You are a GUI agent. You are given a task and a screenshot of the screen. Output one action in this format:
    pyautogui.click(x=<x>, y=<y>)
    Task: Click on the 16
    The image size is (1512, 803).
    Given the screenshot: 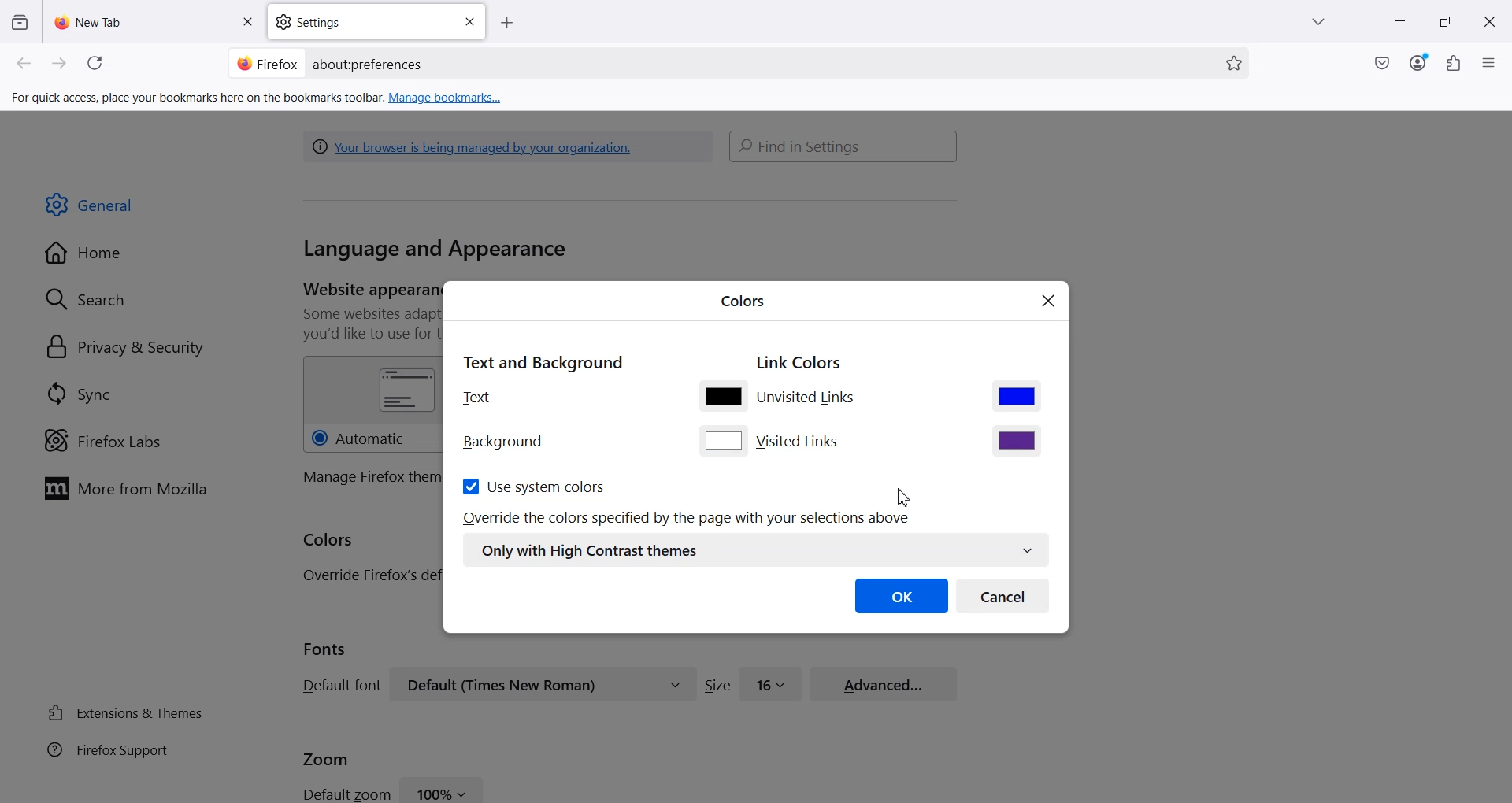 What is the action you would take?
    pyautogui.click(x=771, y=683)
    